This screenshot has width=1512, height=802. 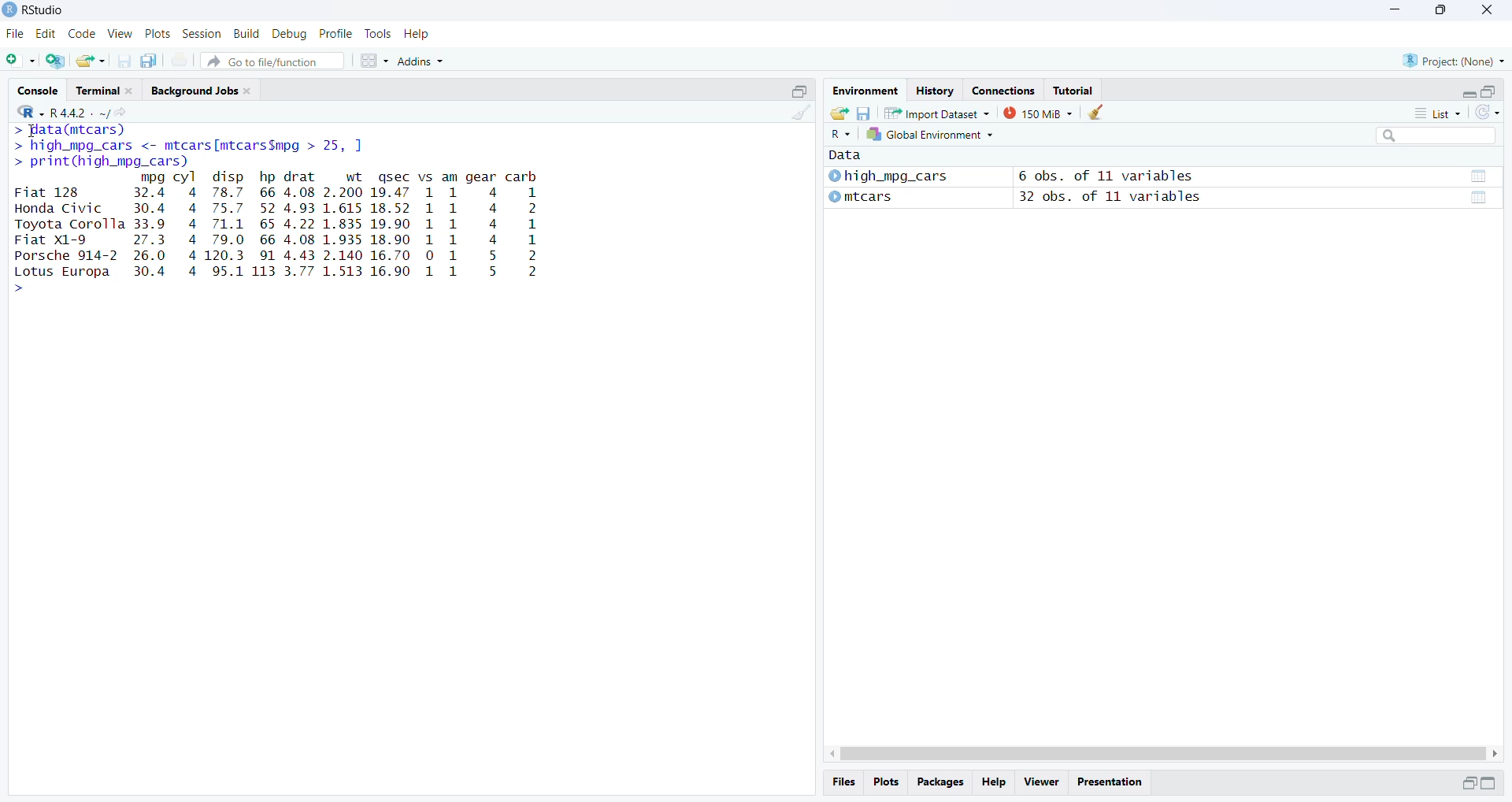 What do you see at coordinates (374, 61) in the screenshot?
I see `Workspace panes` at bounding box center [374, 61].